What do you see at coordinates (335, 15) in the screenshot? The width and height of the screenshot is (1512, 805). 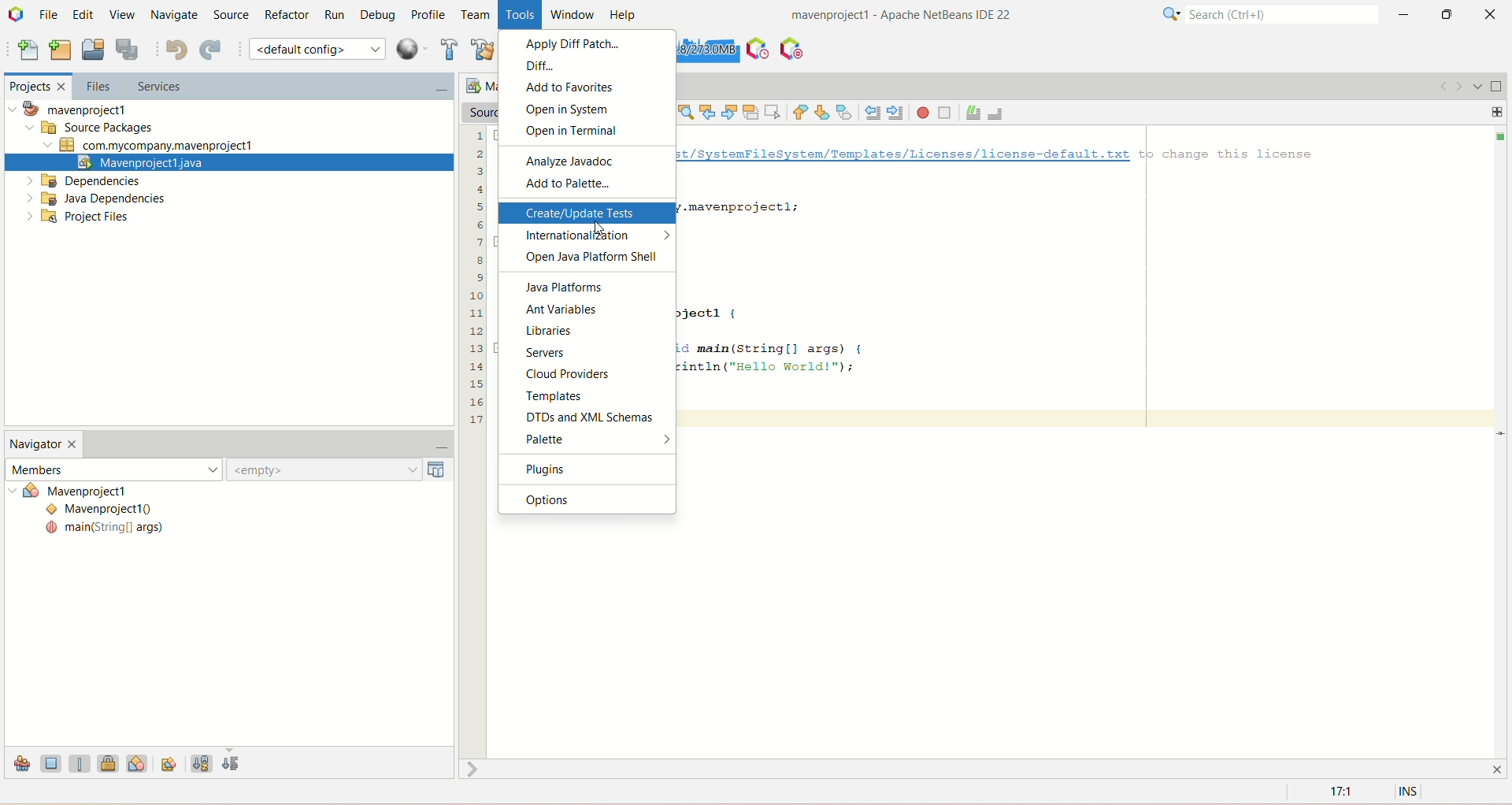 I see `run` at bounding box center [335, 15].